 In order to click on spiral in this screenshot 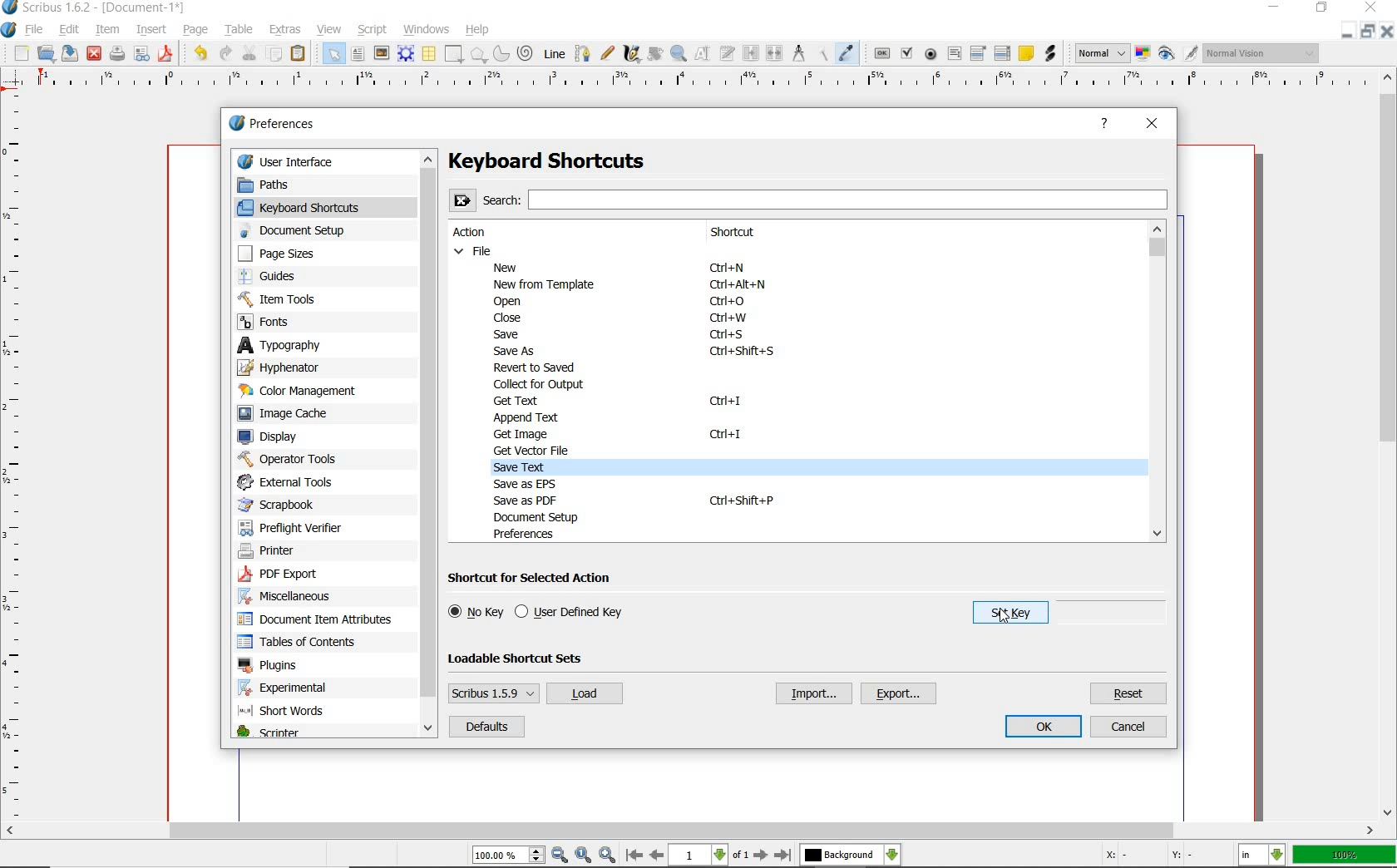, I will do `click(526, 52)`.